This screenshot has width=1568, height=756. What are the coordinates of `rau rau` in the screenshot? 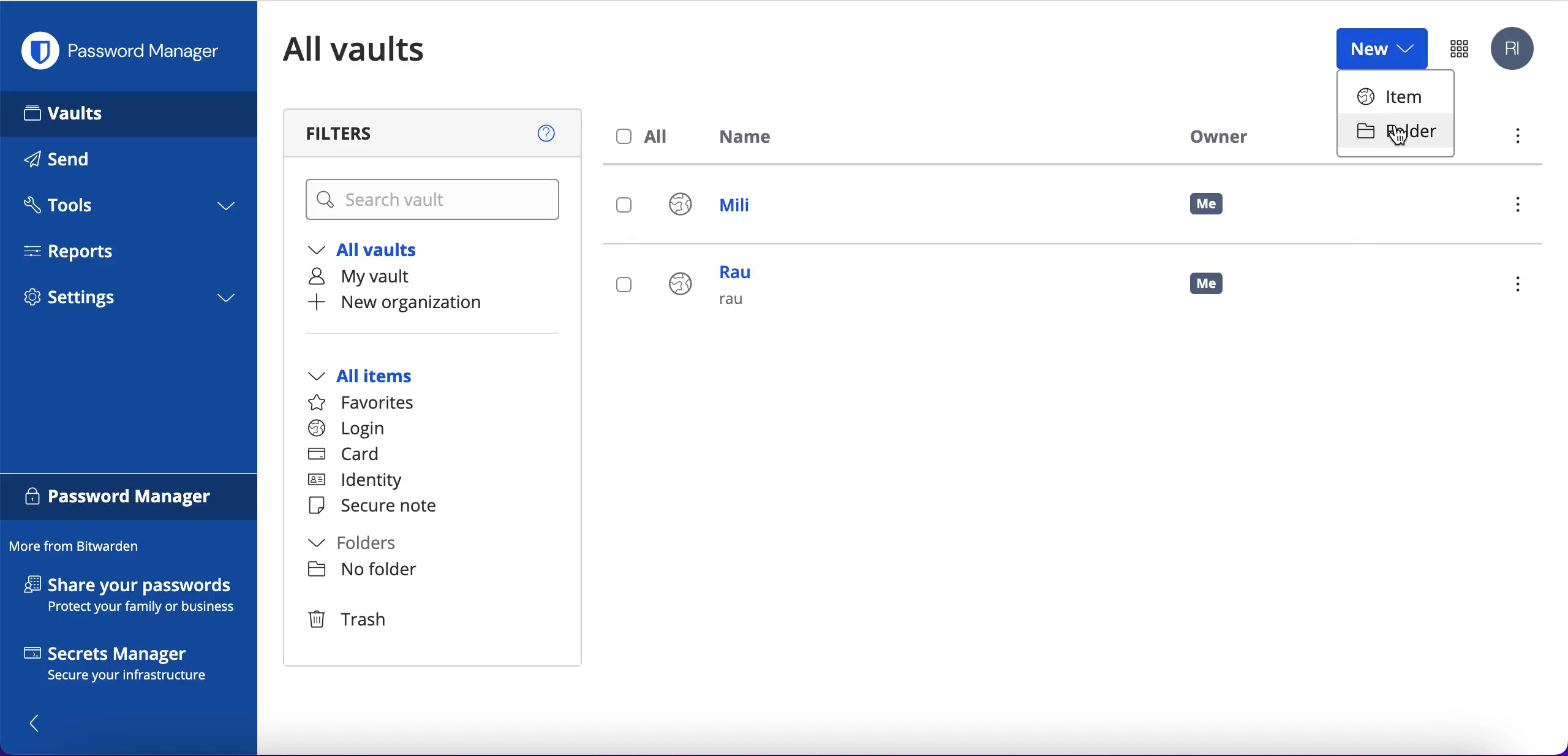 It's located at (717, 293).